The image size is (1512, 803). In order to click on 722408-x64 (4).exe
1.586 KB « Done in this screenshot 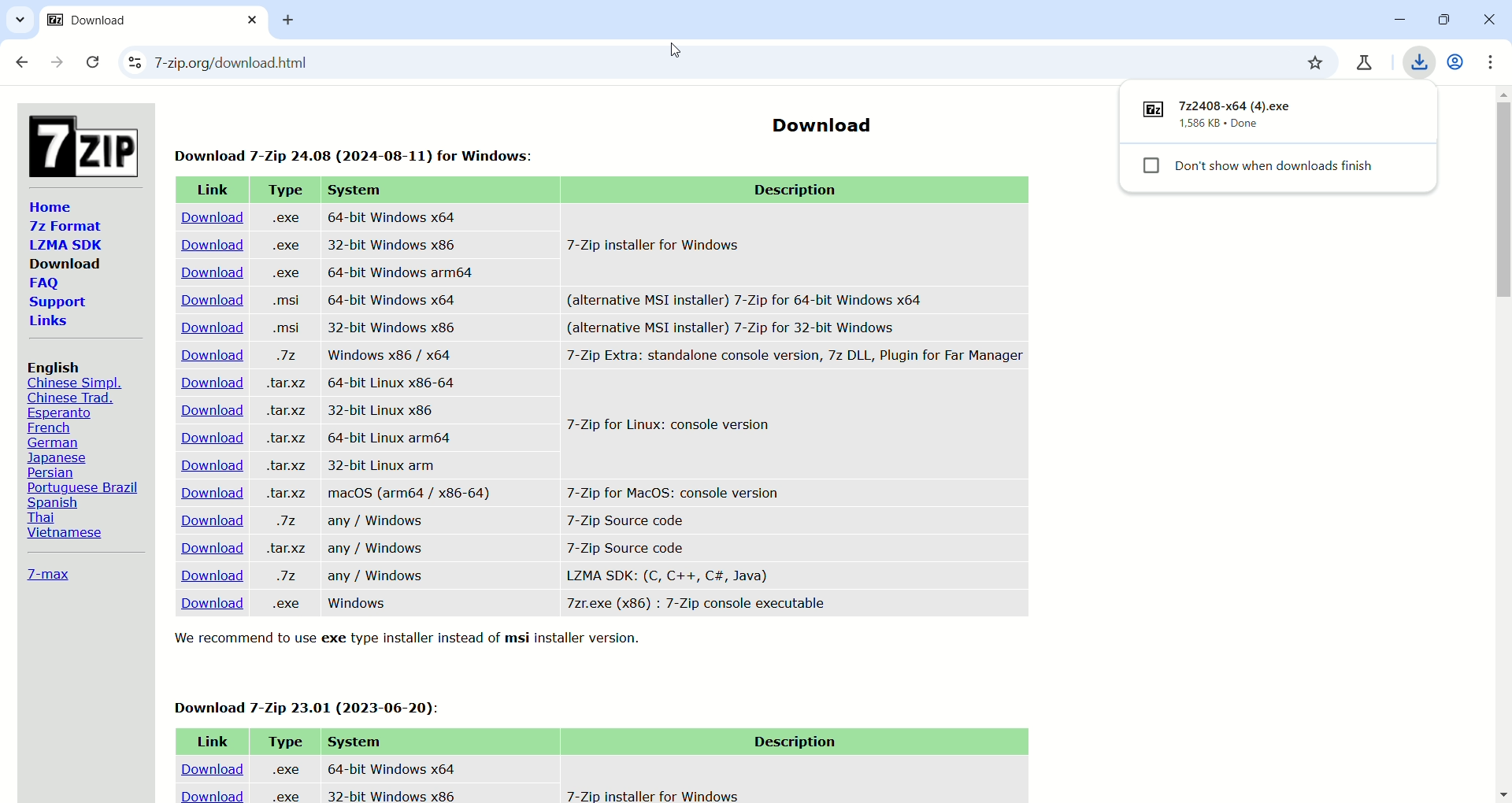, I will do `click(1243, 115)`.